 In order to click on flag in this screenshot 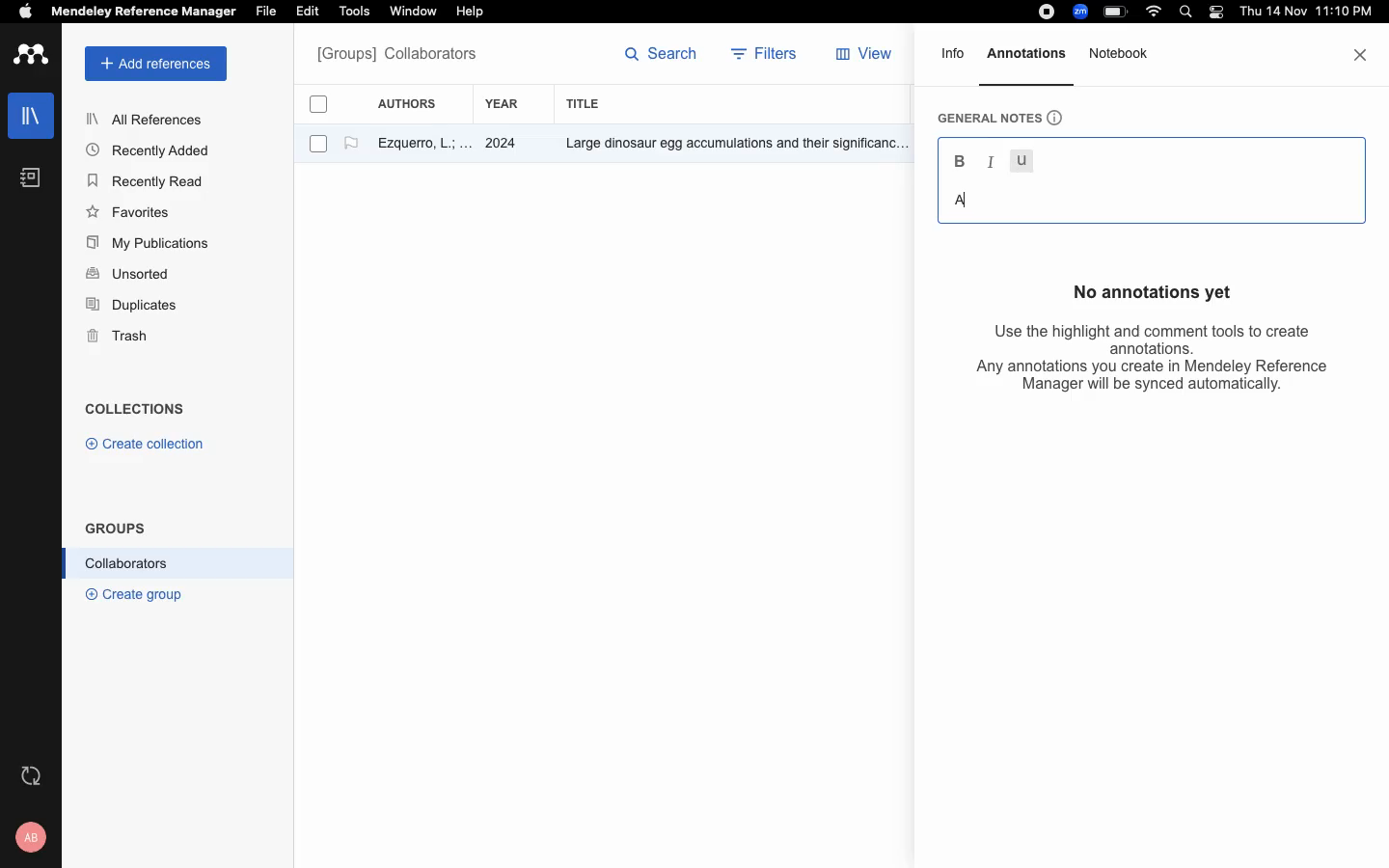, I will do `click(351, 144)`.